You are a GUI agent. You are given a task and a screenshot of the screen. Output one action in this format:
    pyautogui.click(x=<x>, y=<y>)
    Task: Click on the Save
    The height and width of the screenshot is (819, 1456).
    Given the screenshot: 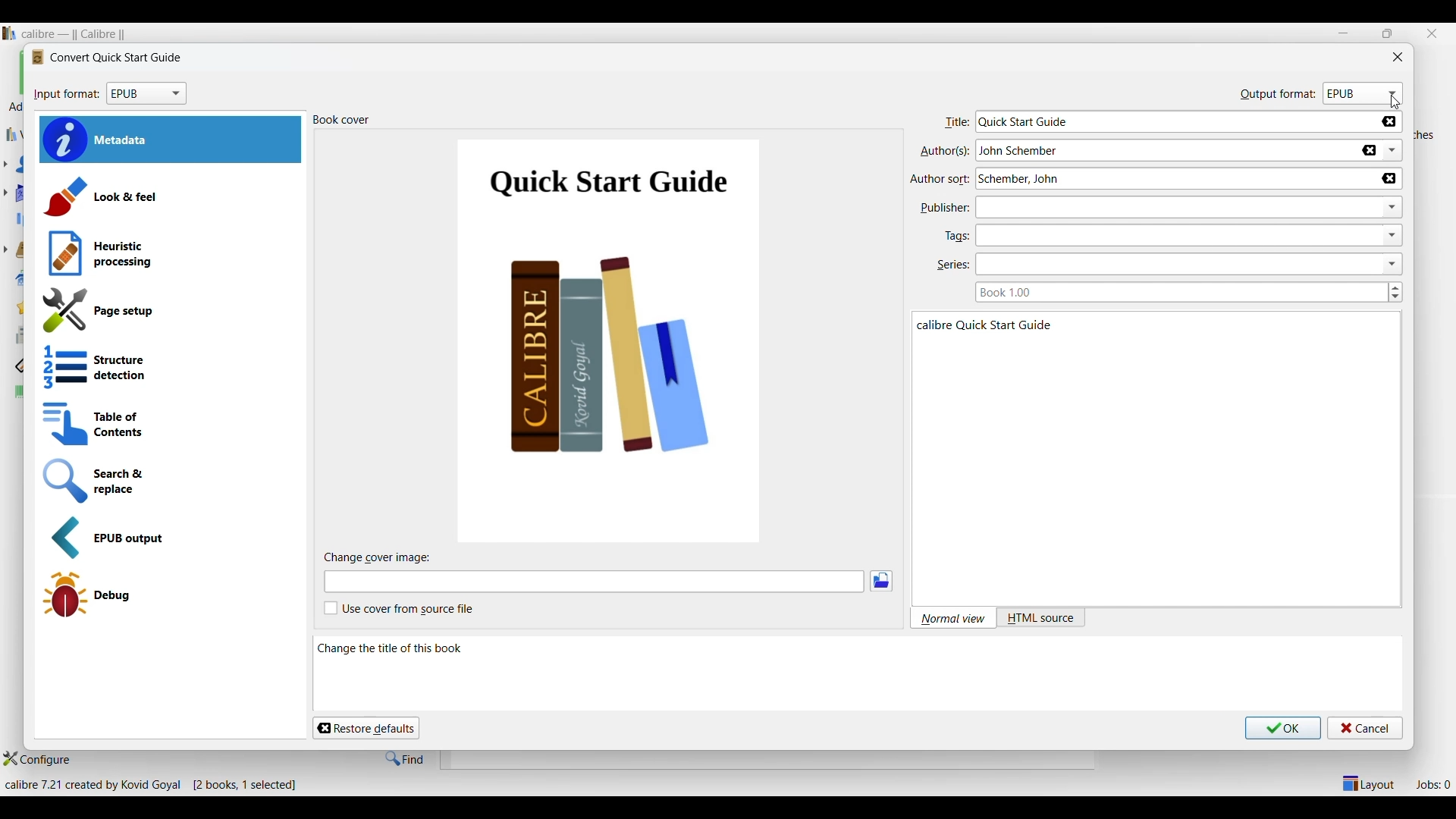 What is the action you would take?
    pyautogui.click(x=1284, y=728)
    